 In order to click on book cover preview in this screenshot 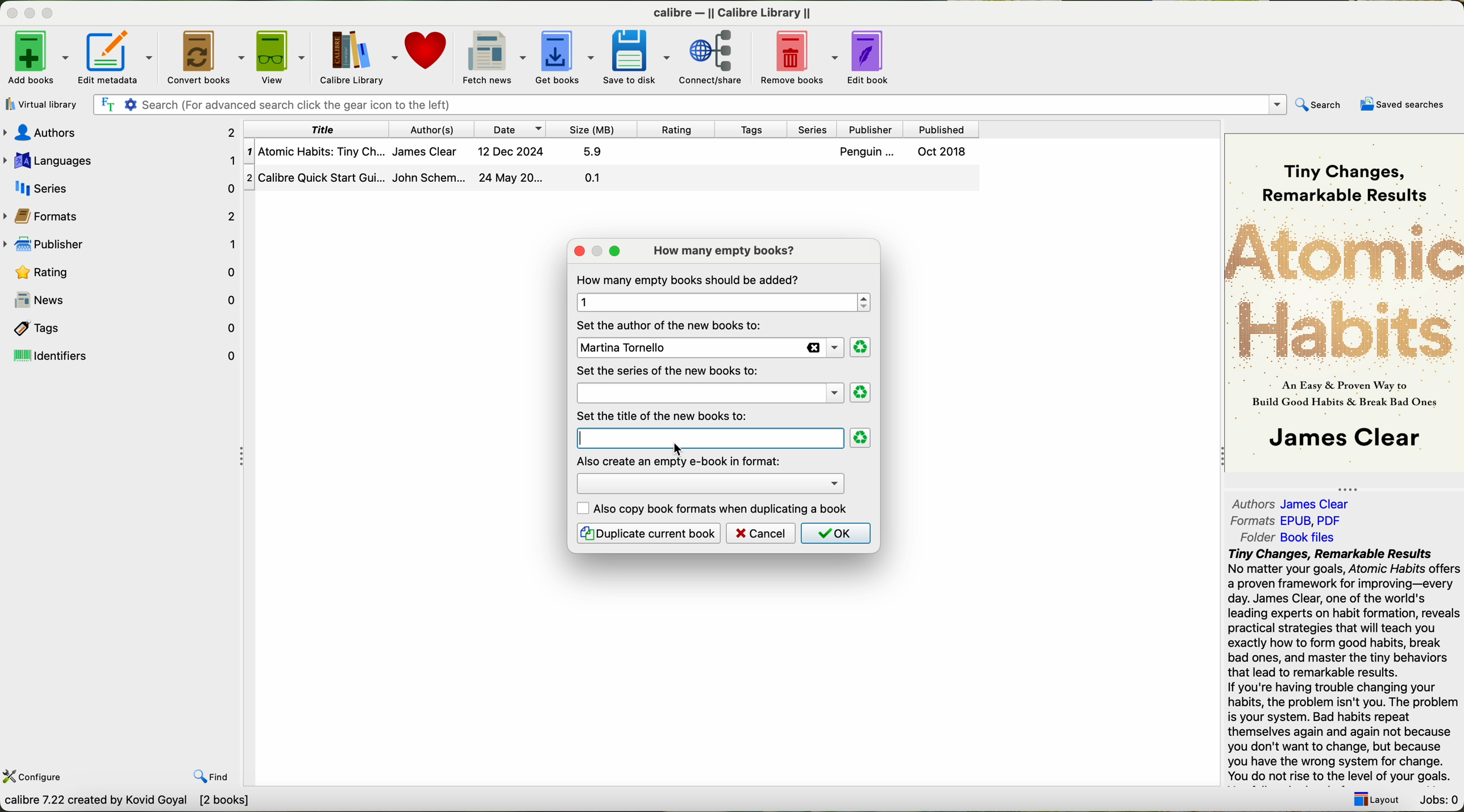, I will do `click(1345, 302)`.